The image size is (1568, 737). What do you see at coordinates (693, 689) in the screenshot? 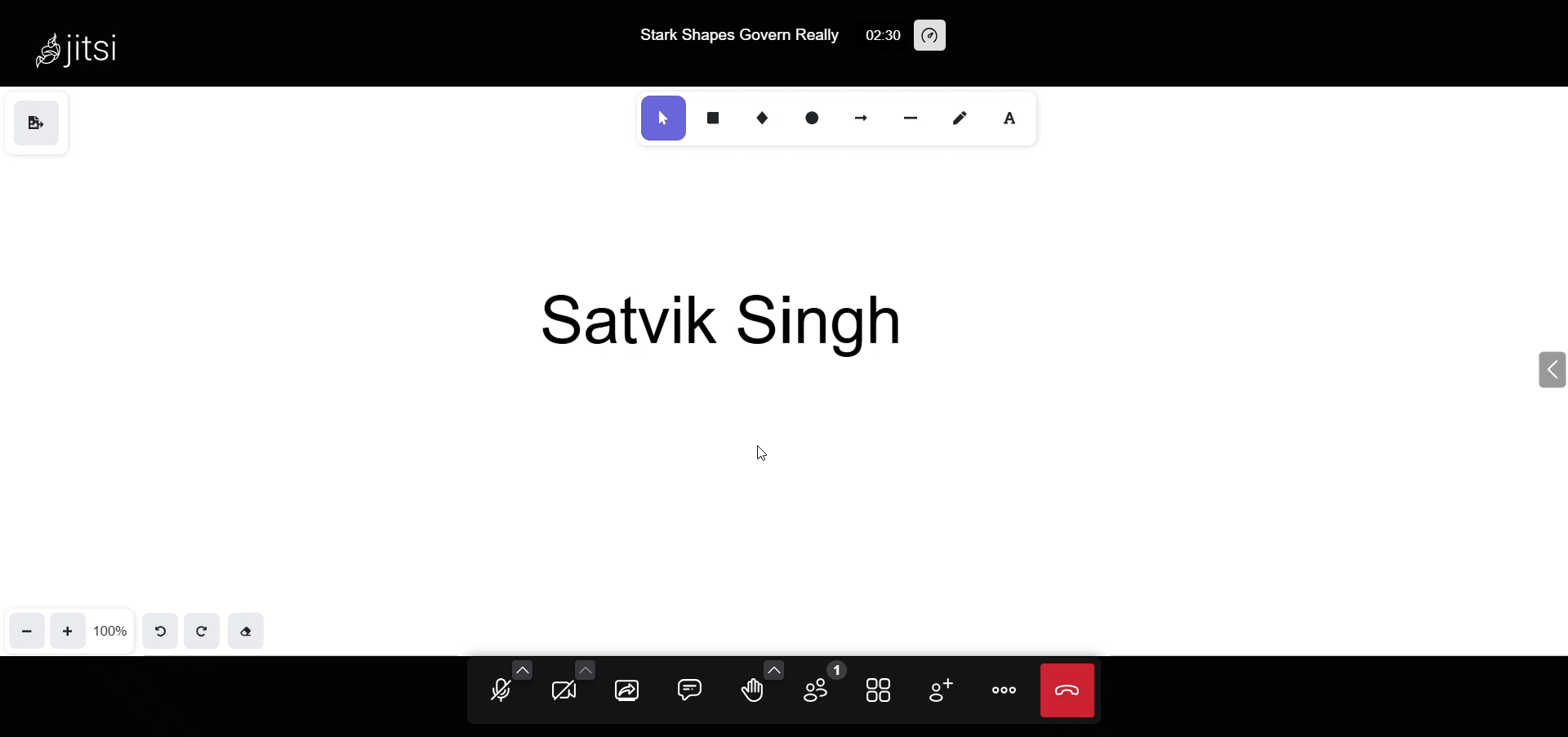
I see `chat` at bounding box center [693, 689].